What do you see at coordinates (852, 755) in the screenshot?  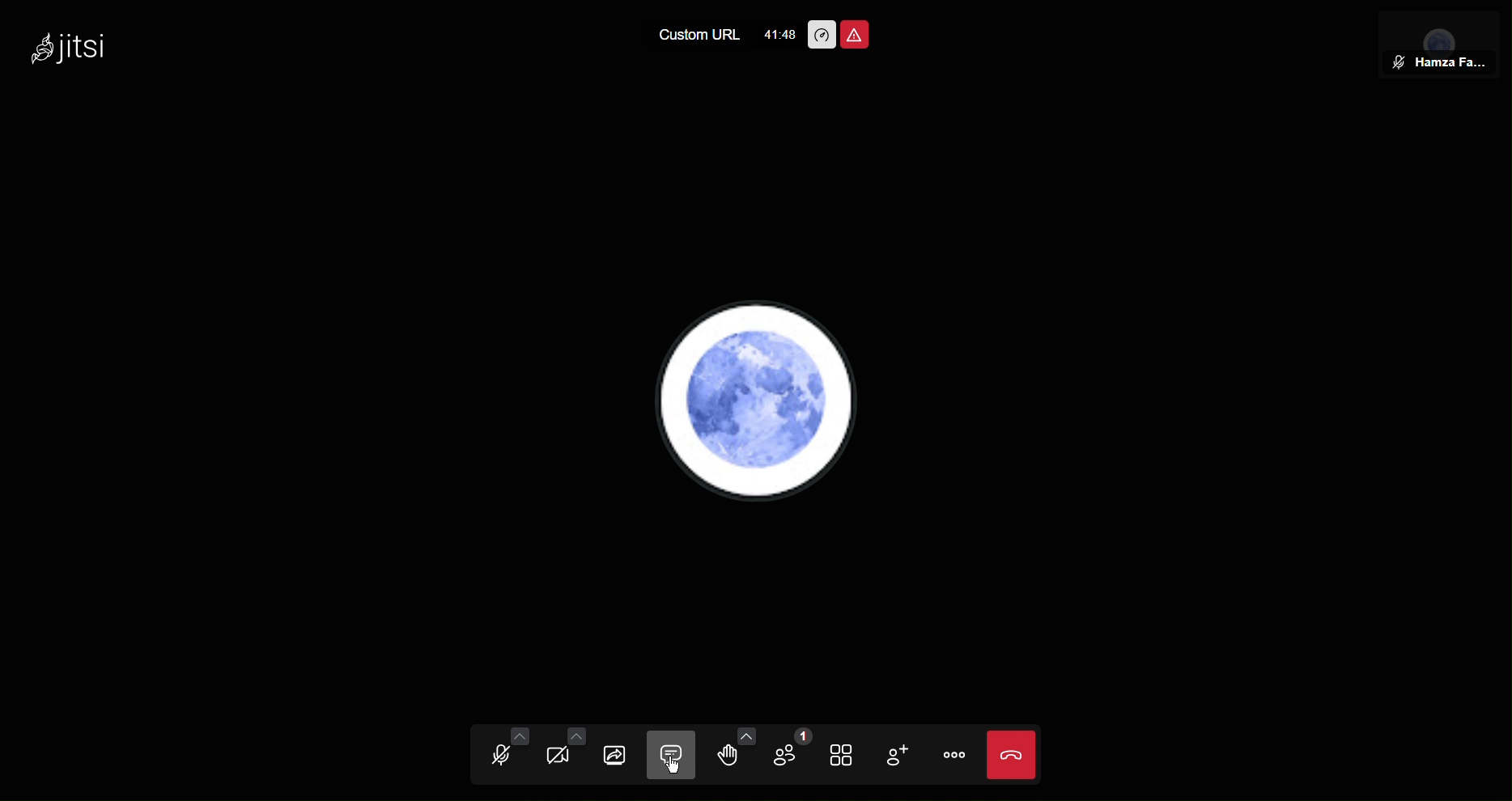 I see `Tile View` at bounding box center [852, 755].